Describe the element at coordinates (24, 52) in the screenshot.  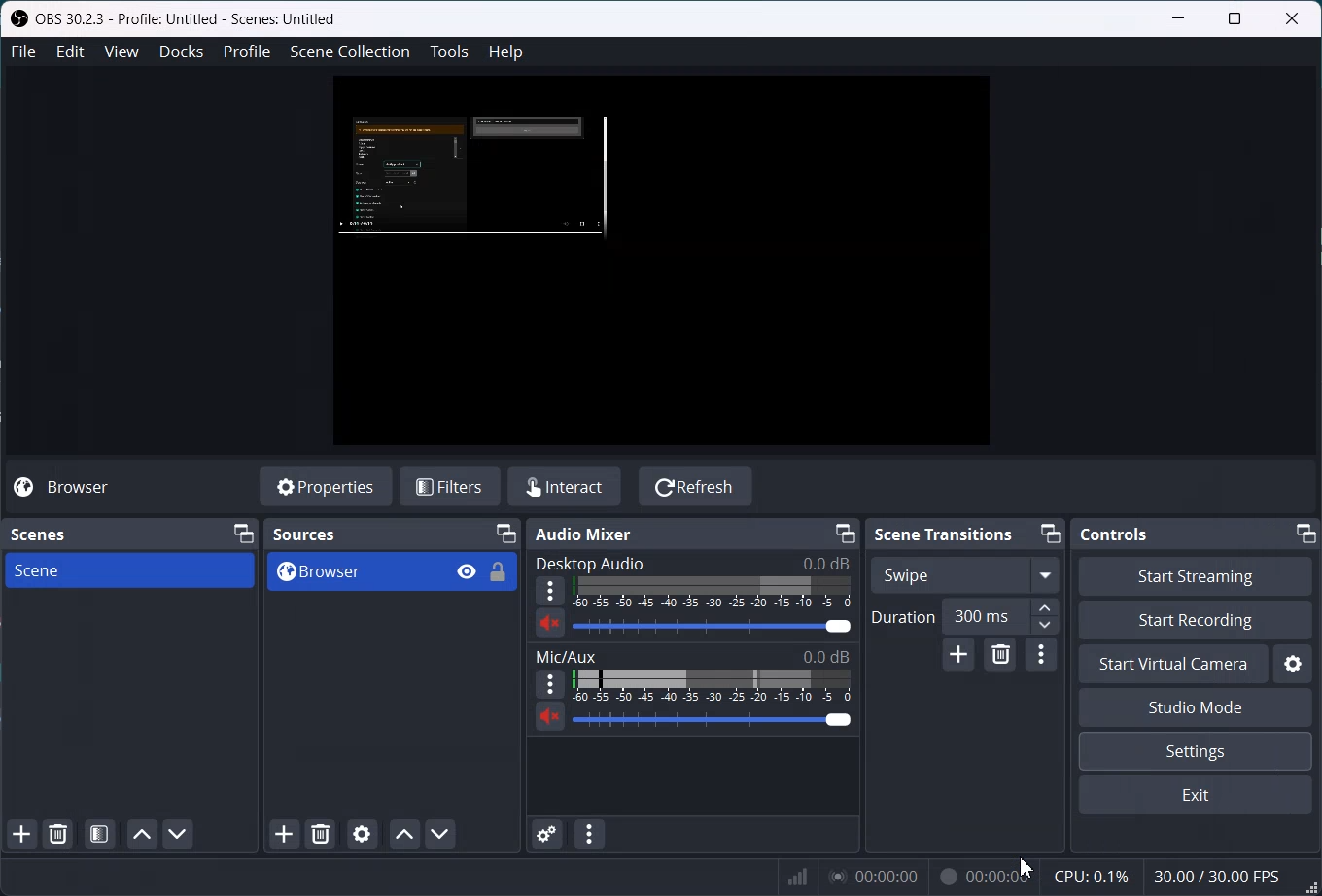
I see `File` at that location.